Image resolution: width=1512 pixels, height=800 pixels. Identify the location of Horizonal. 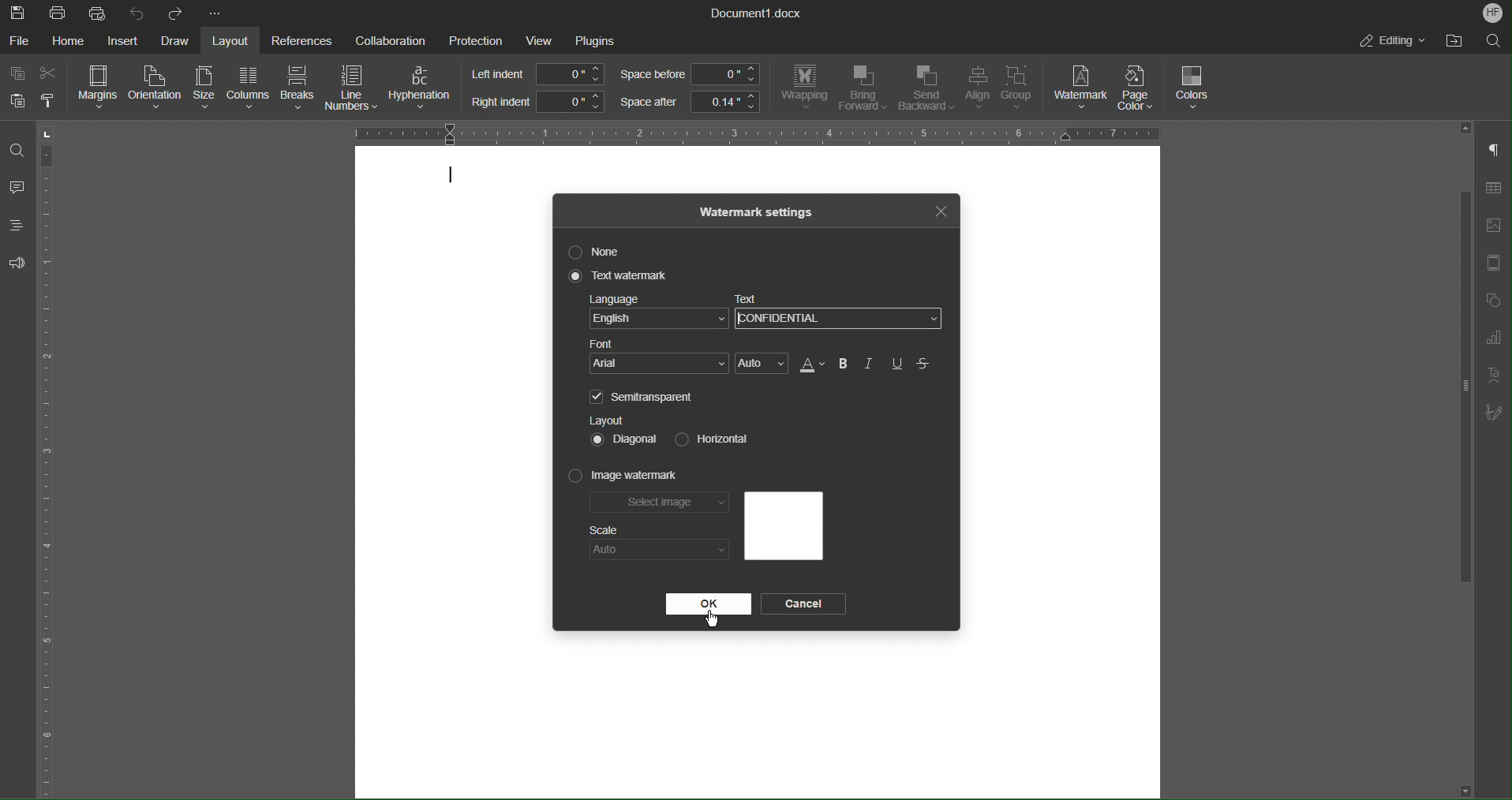
(709, 438).